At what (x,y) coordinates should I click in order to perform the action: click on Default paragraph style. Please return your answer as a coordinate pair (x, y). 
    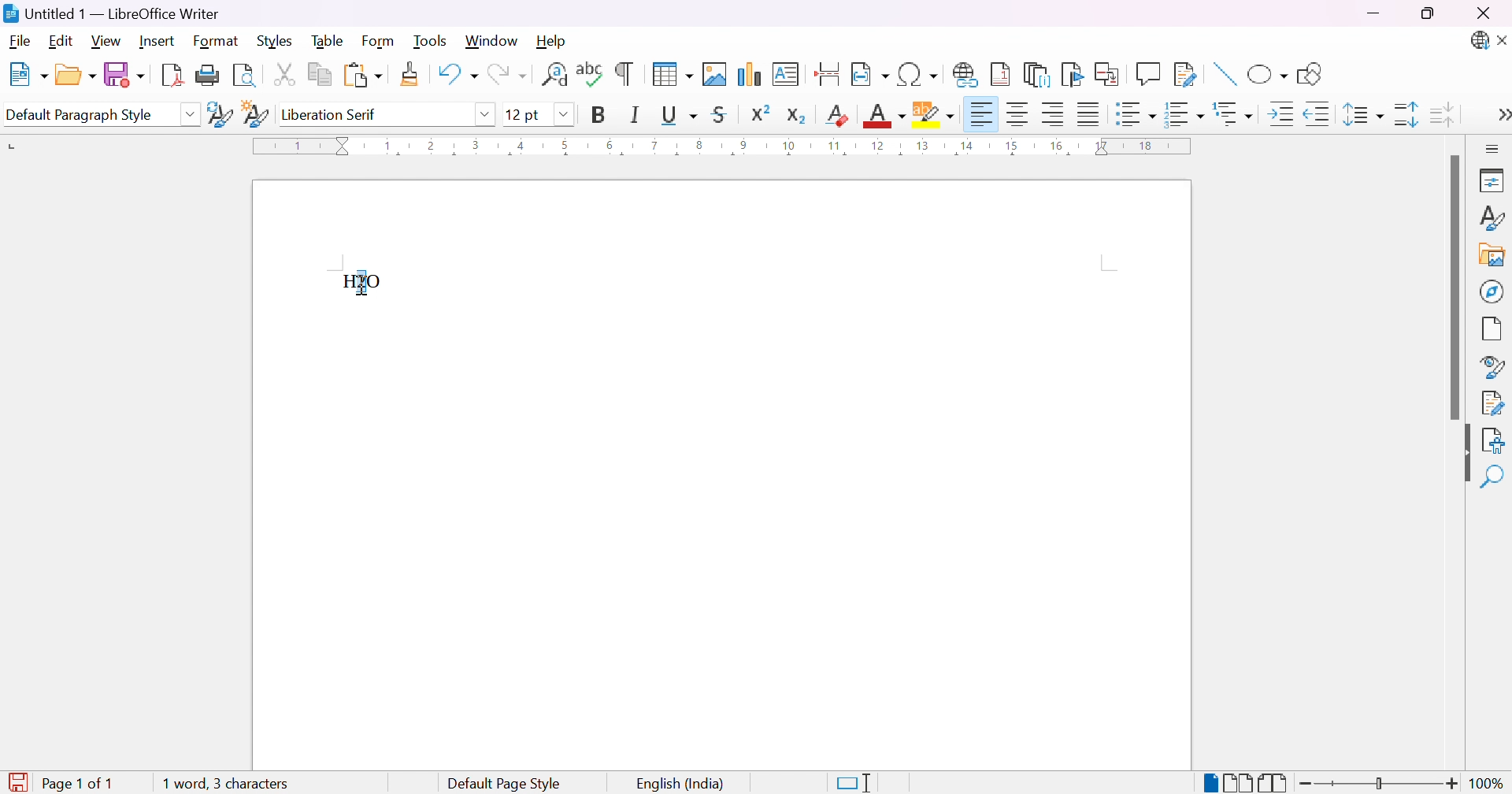
    Looking at the image, I should click on (80, 116).